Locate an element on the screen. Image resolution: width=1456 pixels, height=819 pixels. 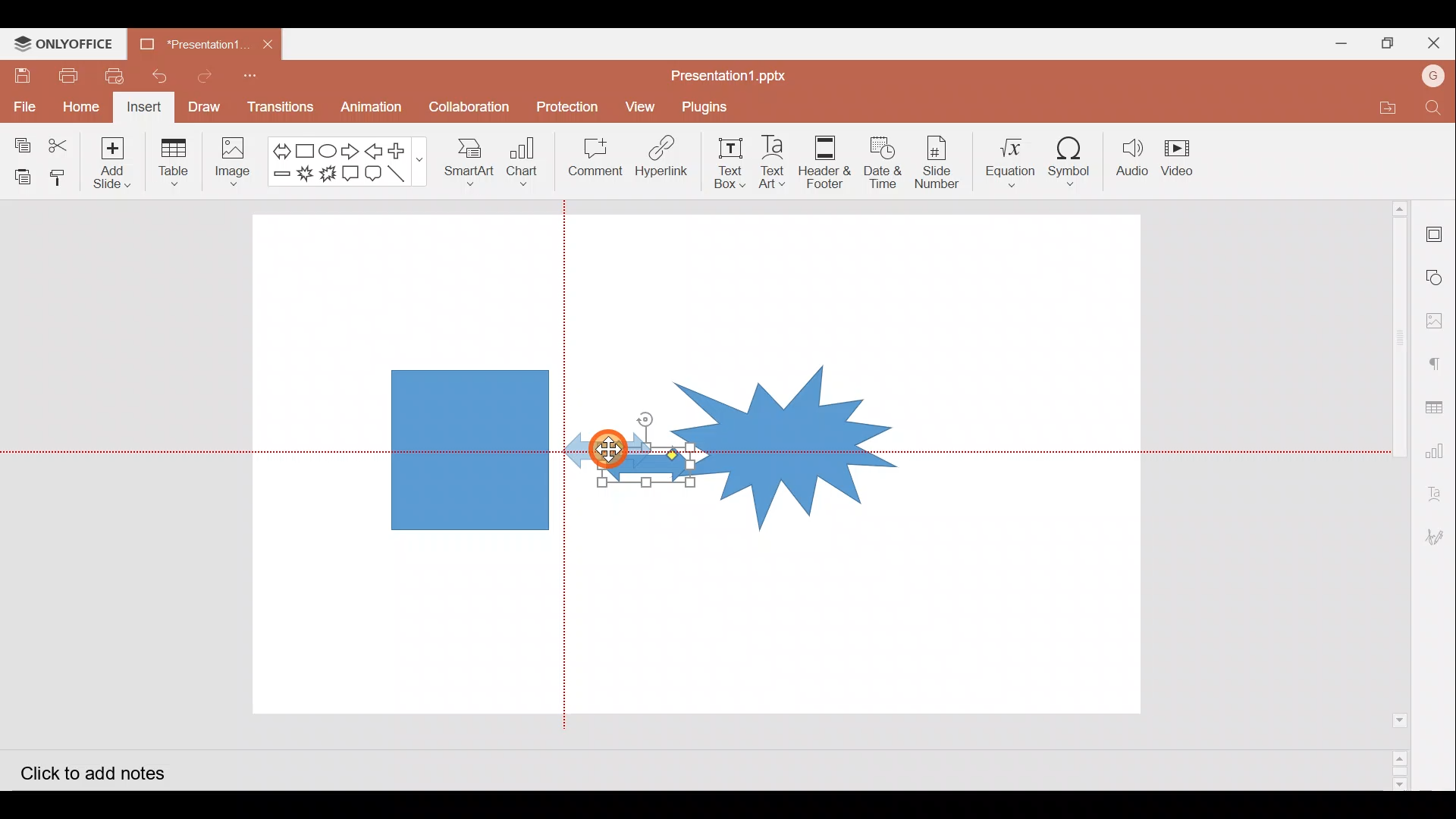
Slide number is located at coordinates (938, 160).